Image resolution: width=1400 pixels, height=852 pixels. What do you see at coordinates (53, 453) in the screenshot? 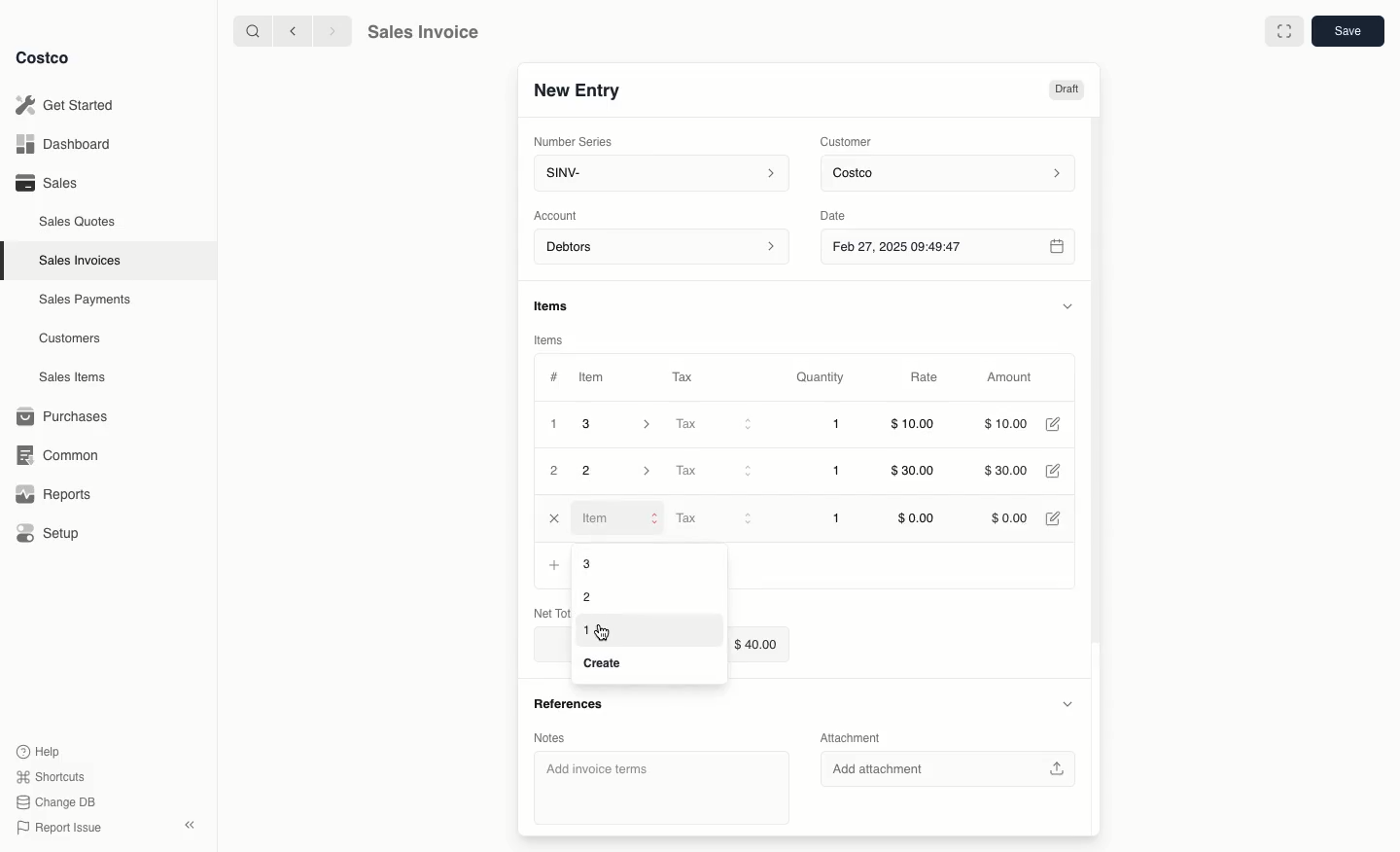
I see `Common` at bounding box center [53, 453].